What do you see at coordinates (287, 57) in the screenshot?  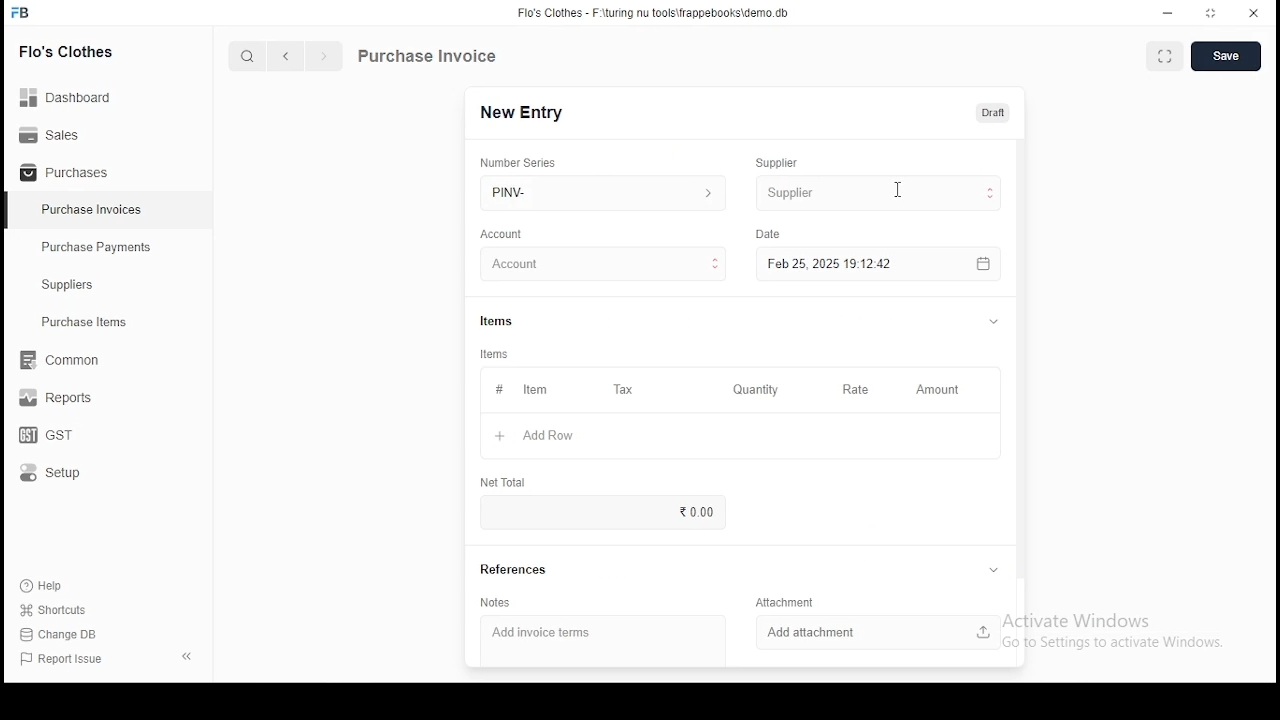 I see `previous` at bounding box center [287, 57].